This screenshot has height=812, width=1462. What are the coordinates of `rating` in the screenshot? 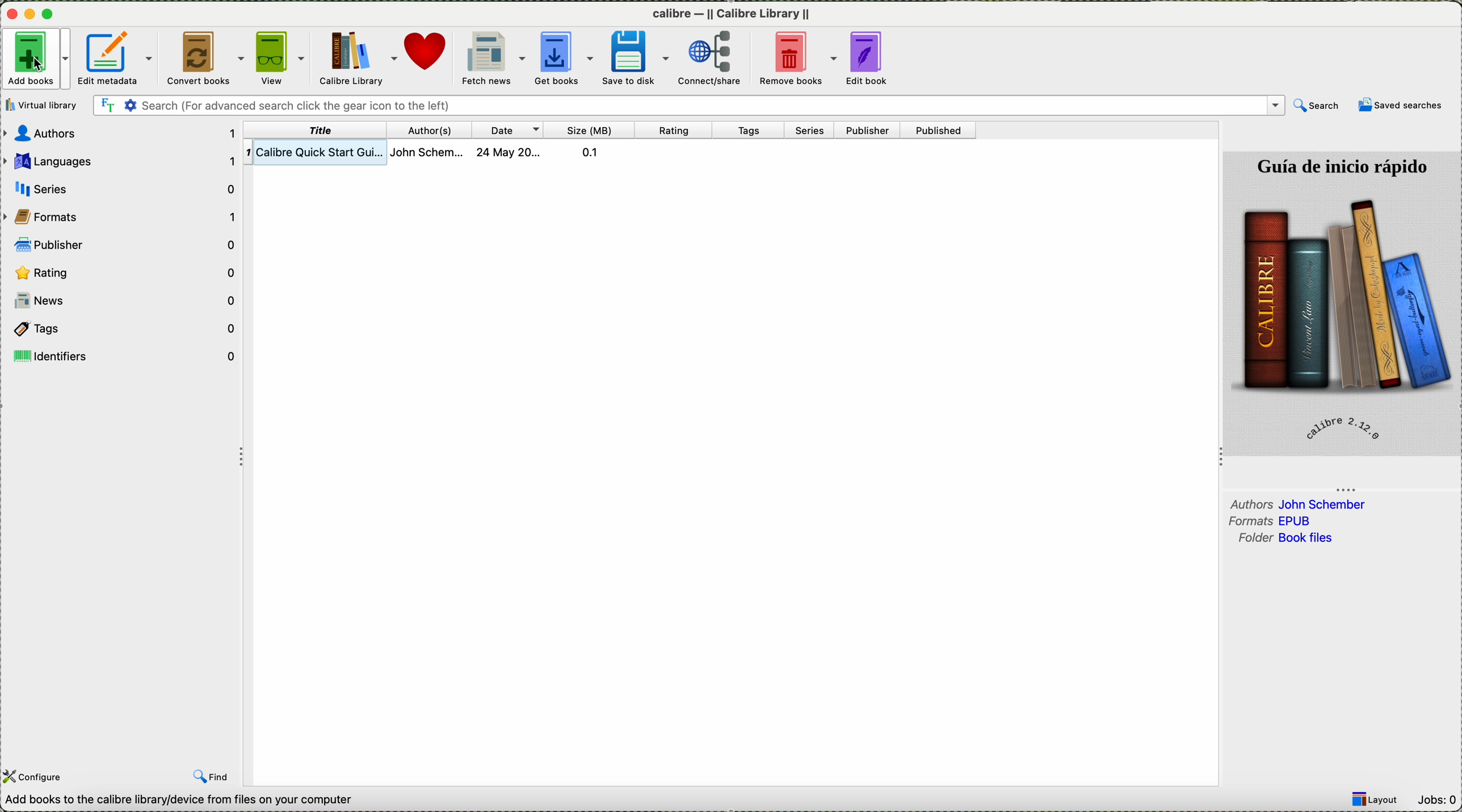 It's located at (675, 130).